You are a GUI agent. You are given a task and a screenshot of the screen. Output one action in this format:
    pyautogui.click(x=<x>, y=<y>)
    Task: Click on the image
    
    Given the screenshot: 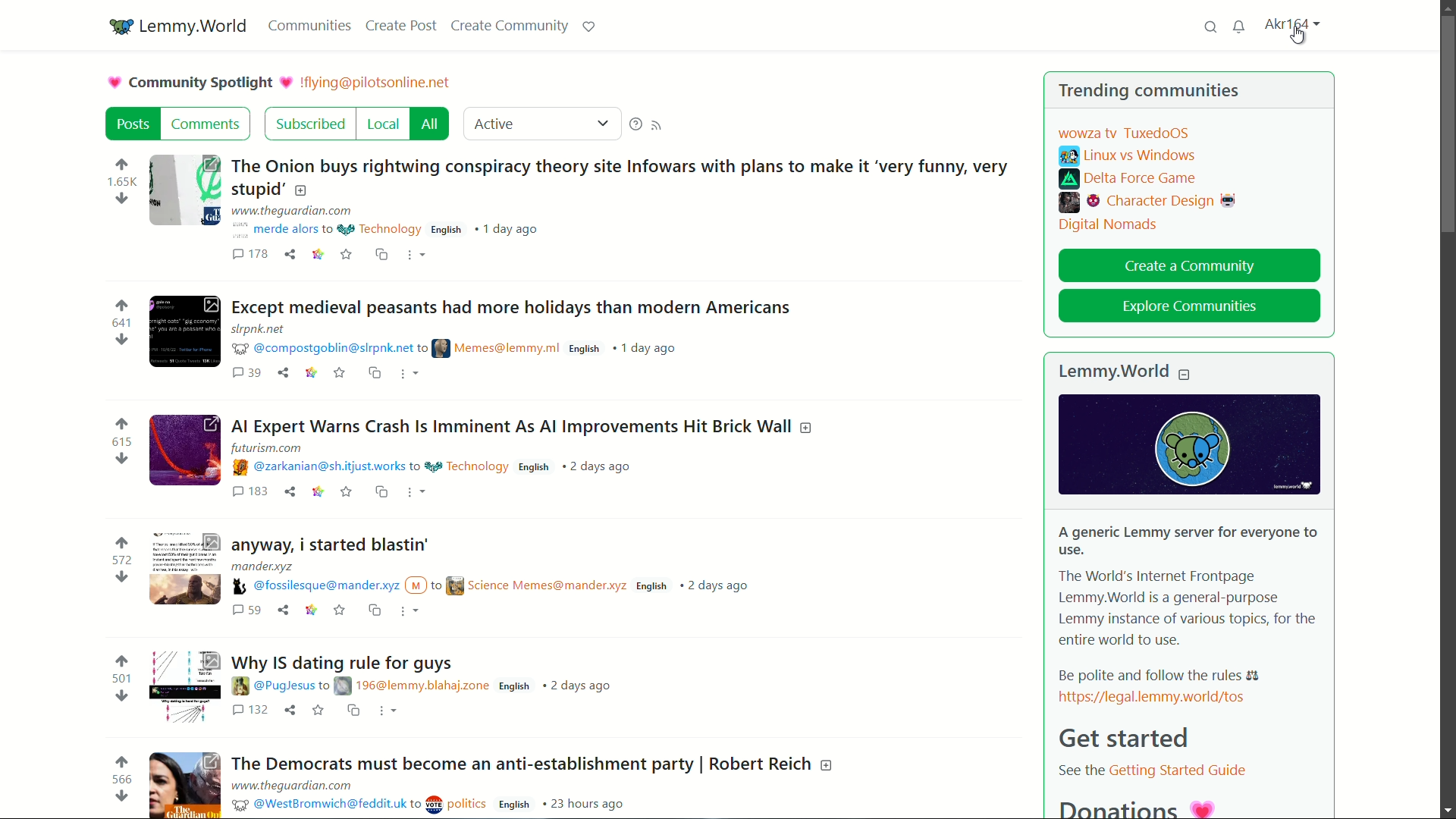 What is the action you would take?
    pyautogui.click(x=184, y=686)
    